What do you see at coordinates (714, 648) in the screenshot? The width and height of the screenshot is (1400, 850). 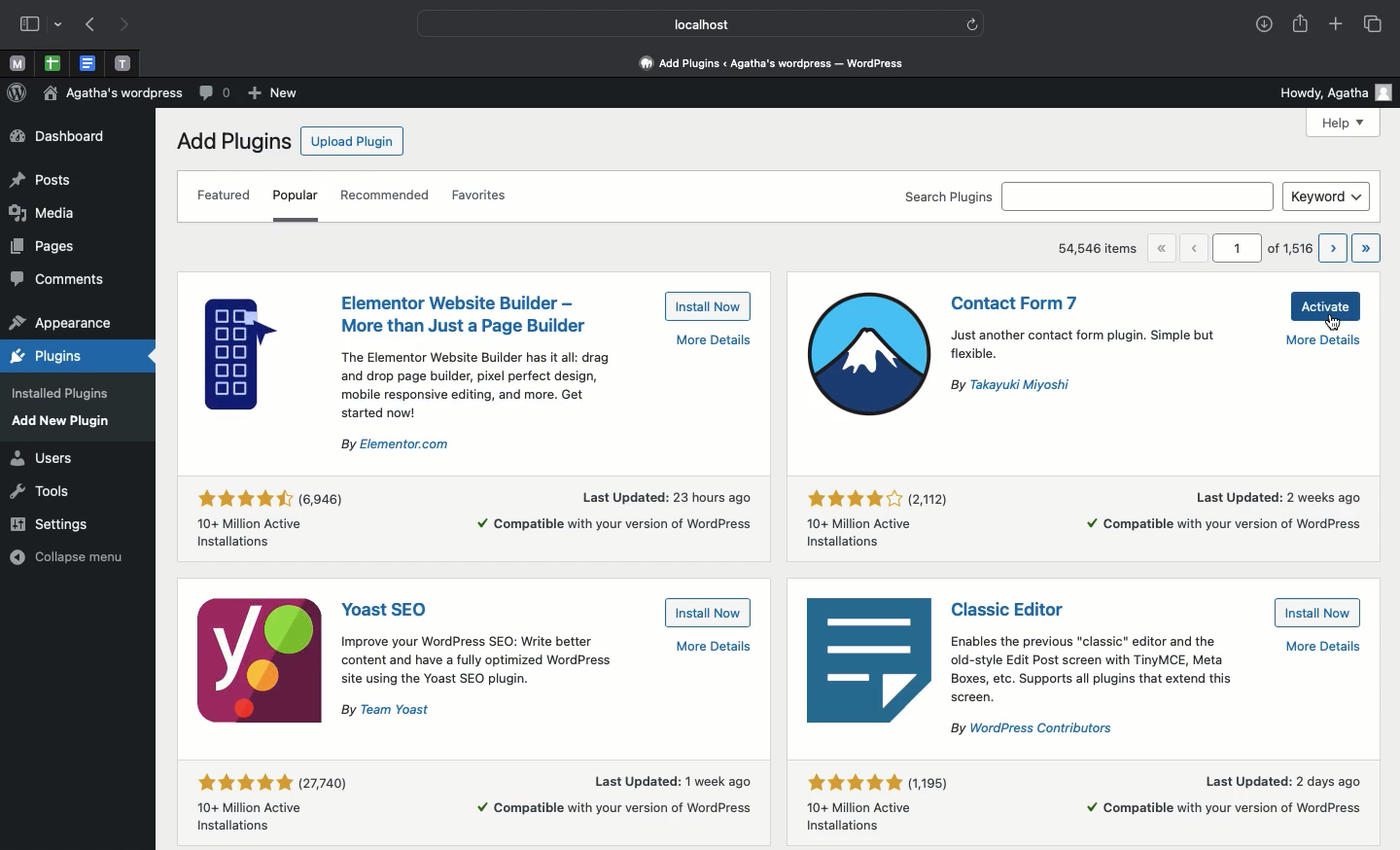 I see `More details` at bounding box center [714, 648].